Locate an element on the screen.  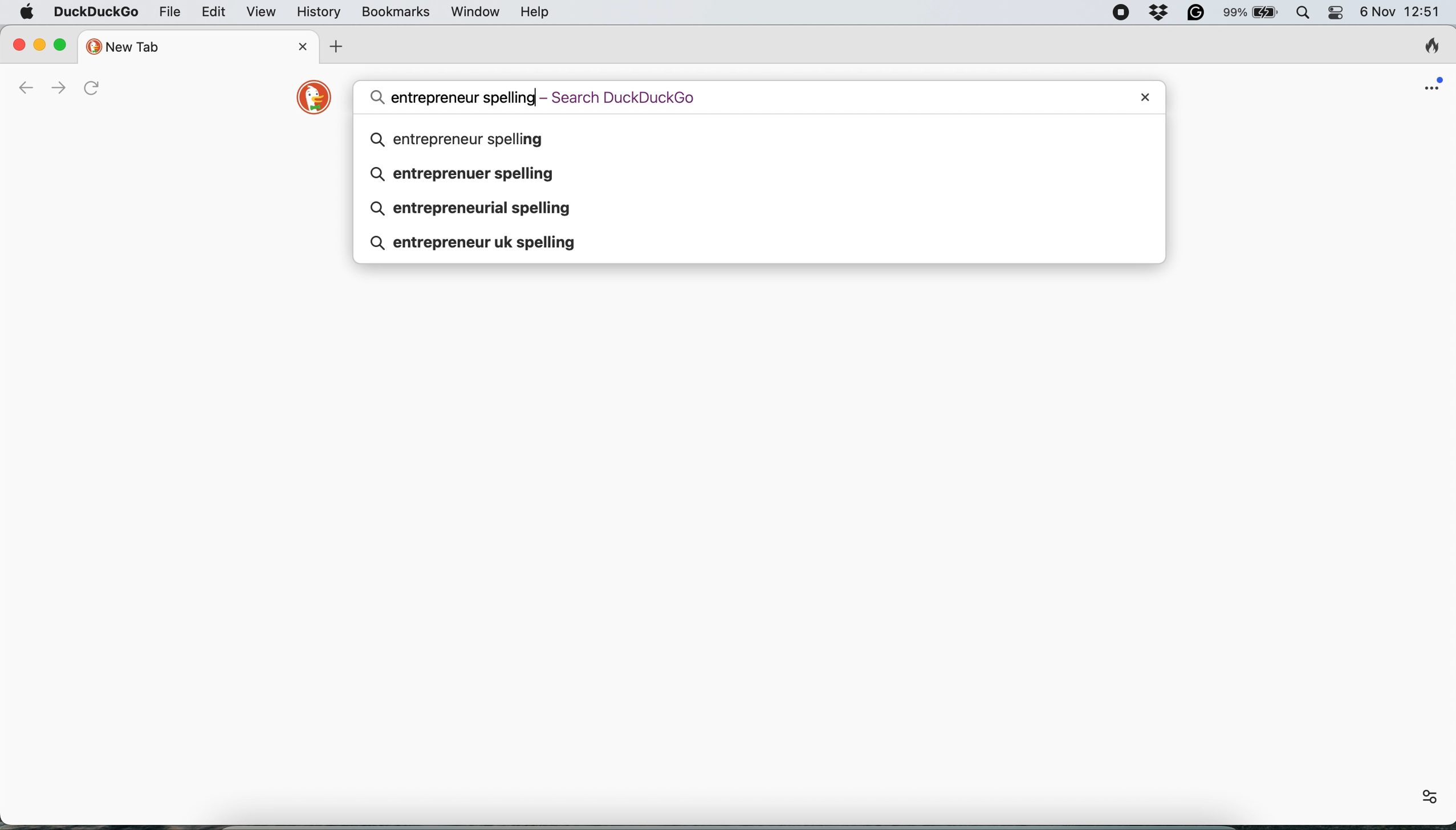
spotlight search is located at coordinates (1301, 15).